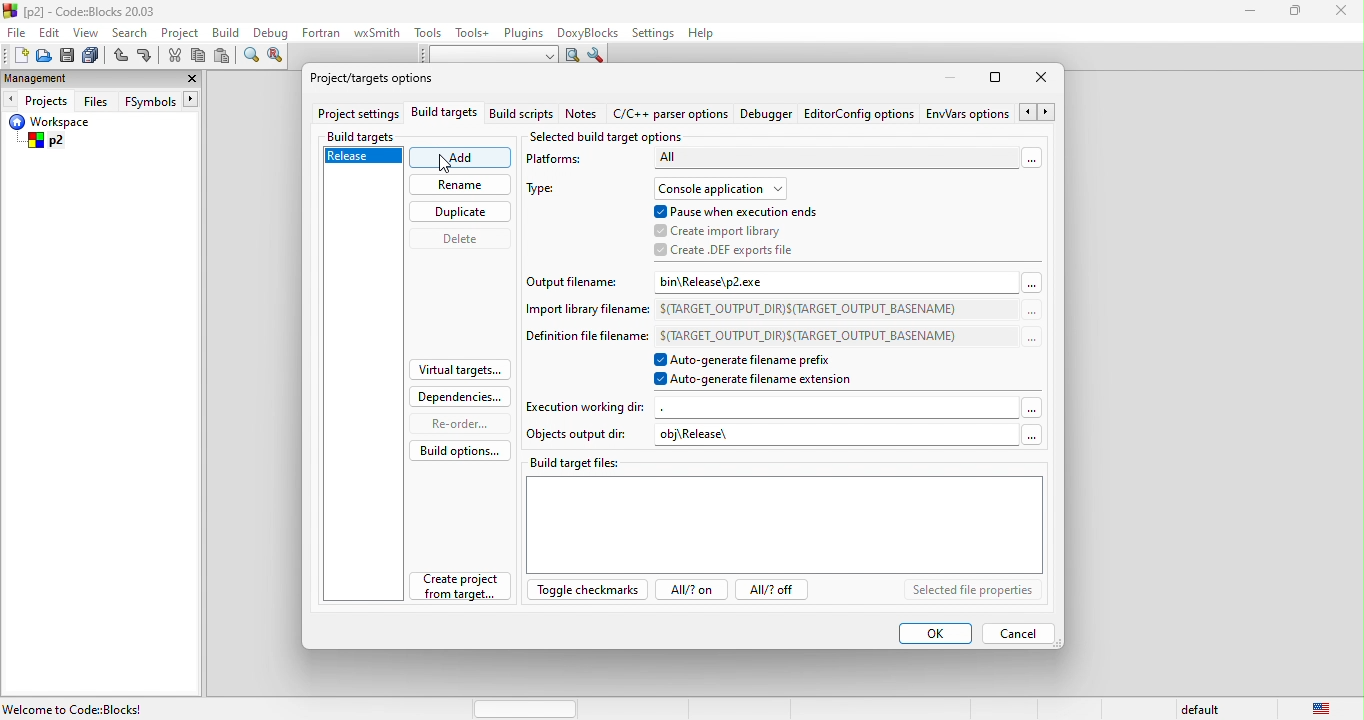  I want to click on projects, so click(37, 99).